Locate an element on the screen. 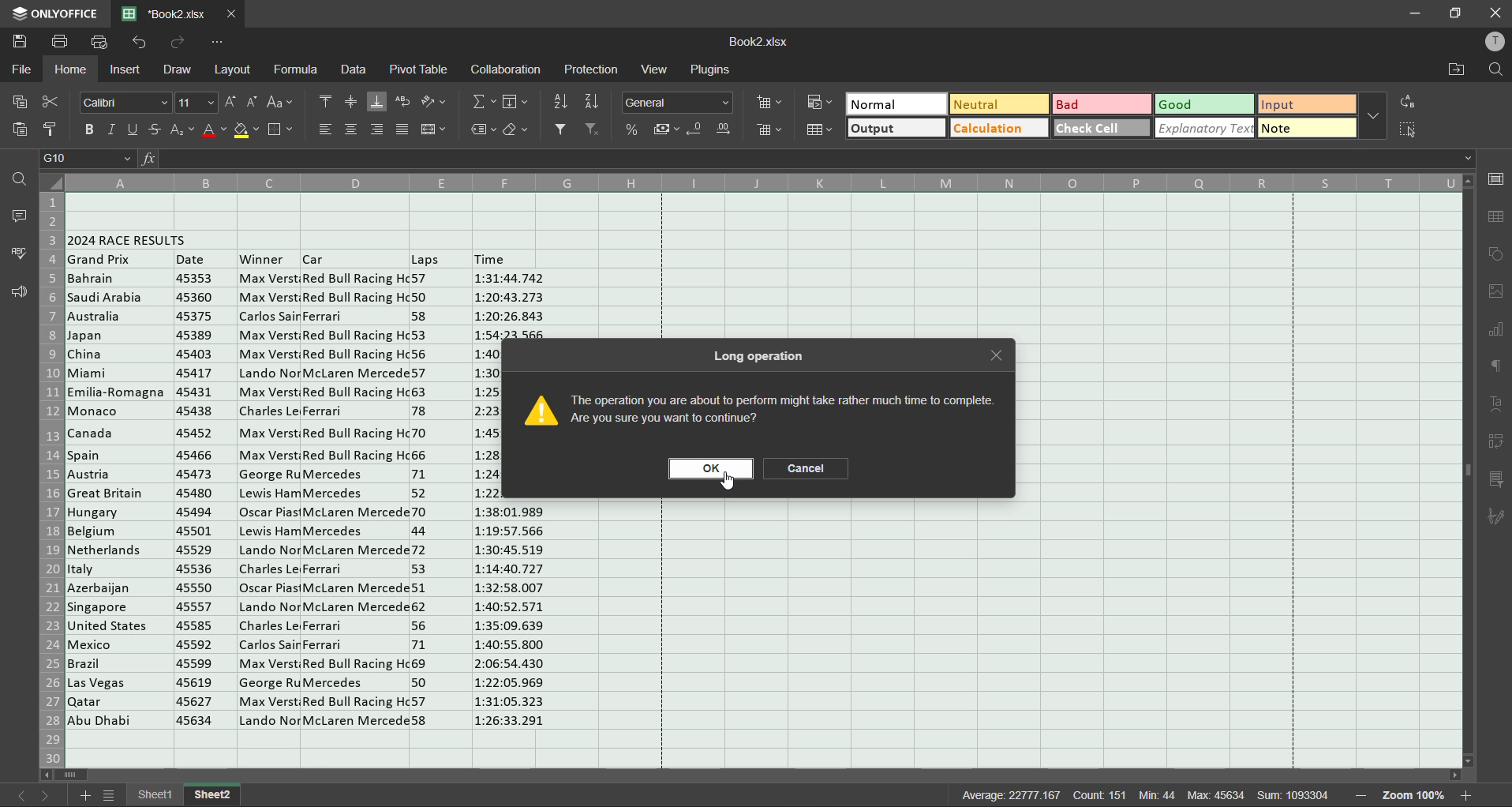 The height and width of the screenshot is (807, 1512). note is located at coordinates (1305, 129).